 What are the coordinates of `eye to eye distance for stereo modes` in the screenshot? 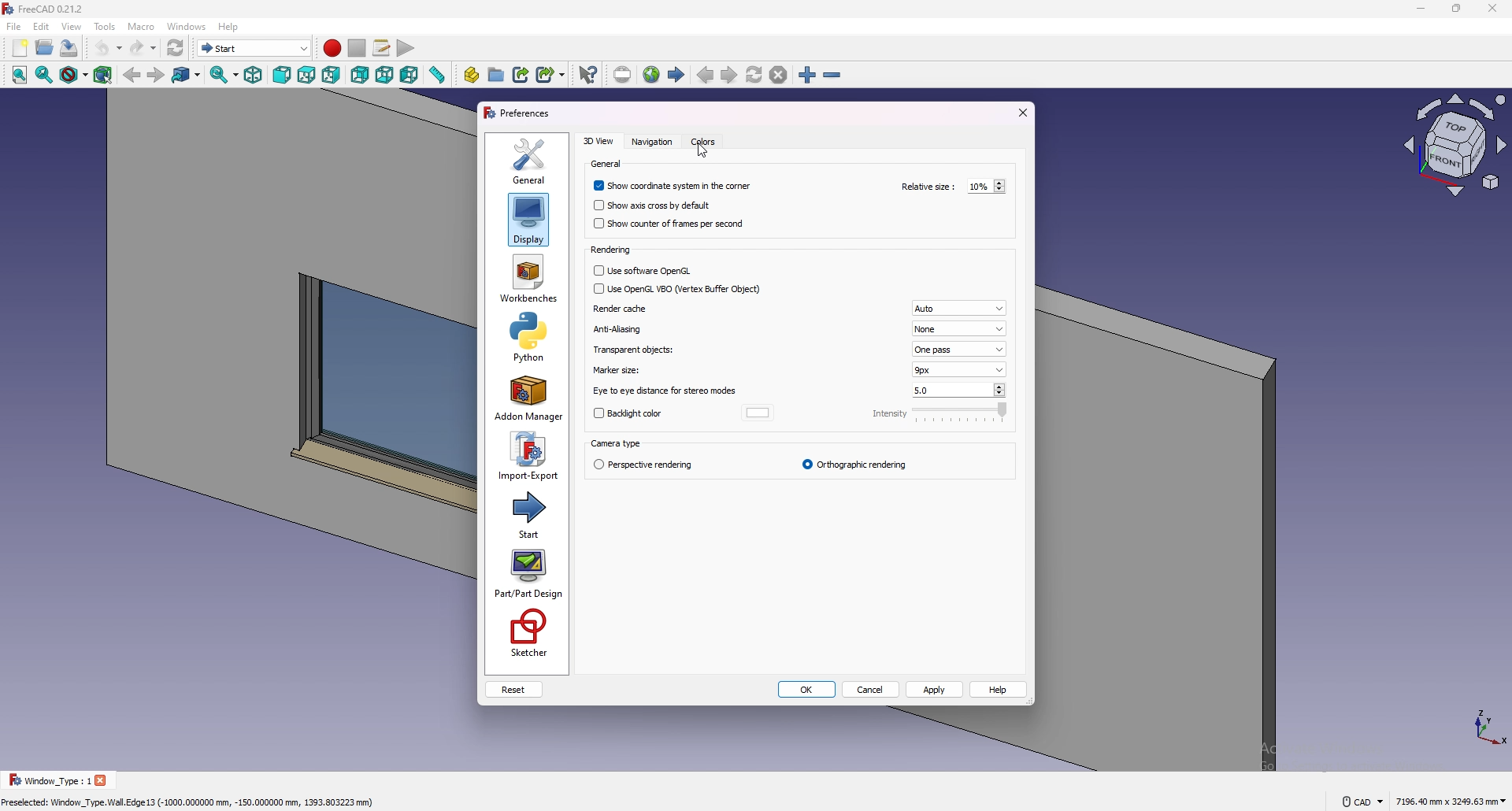 It's located at (666, 390).